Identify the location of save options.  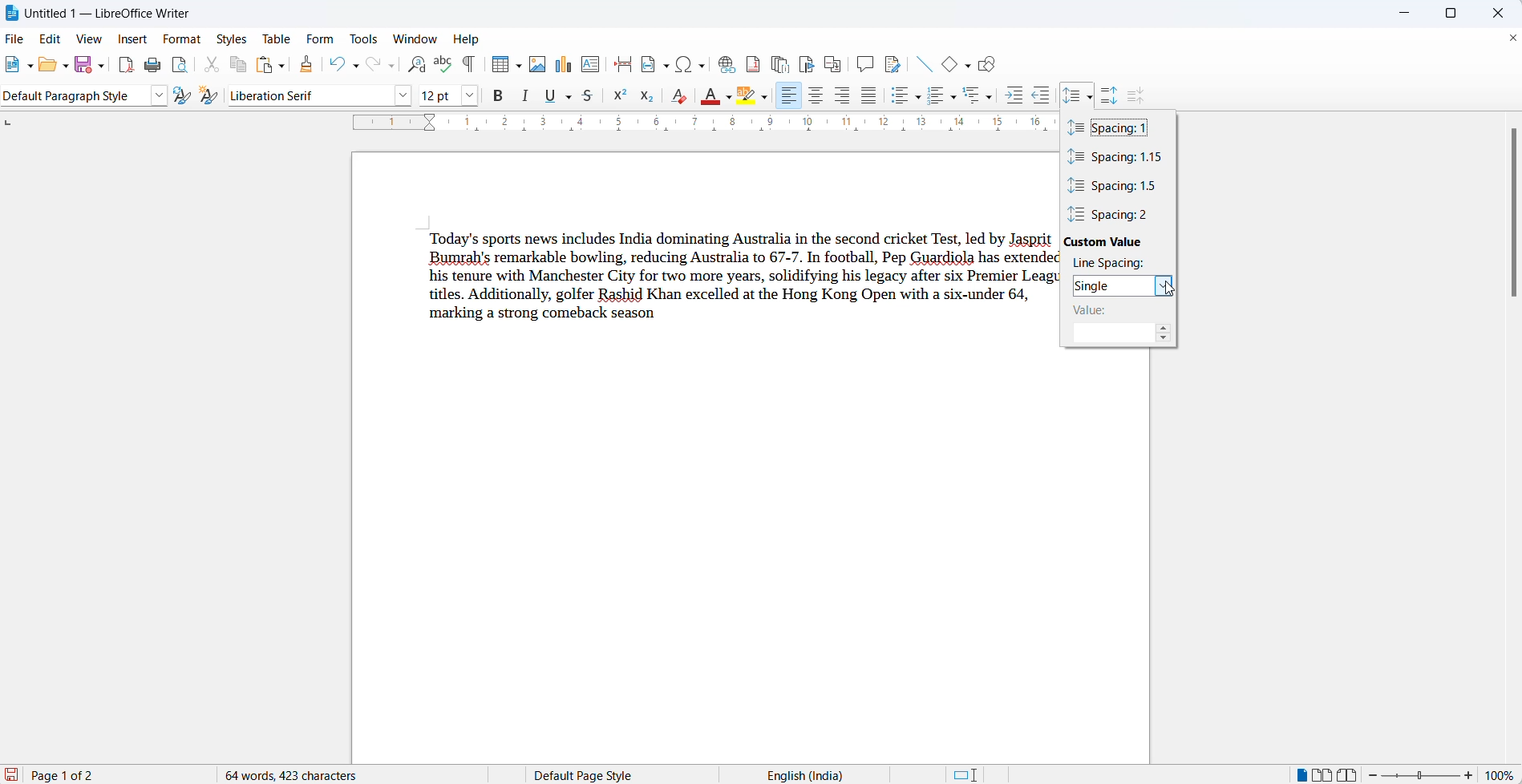
(101, 69).